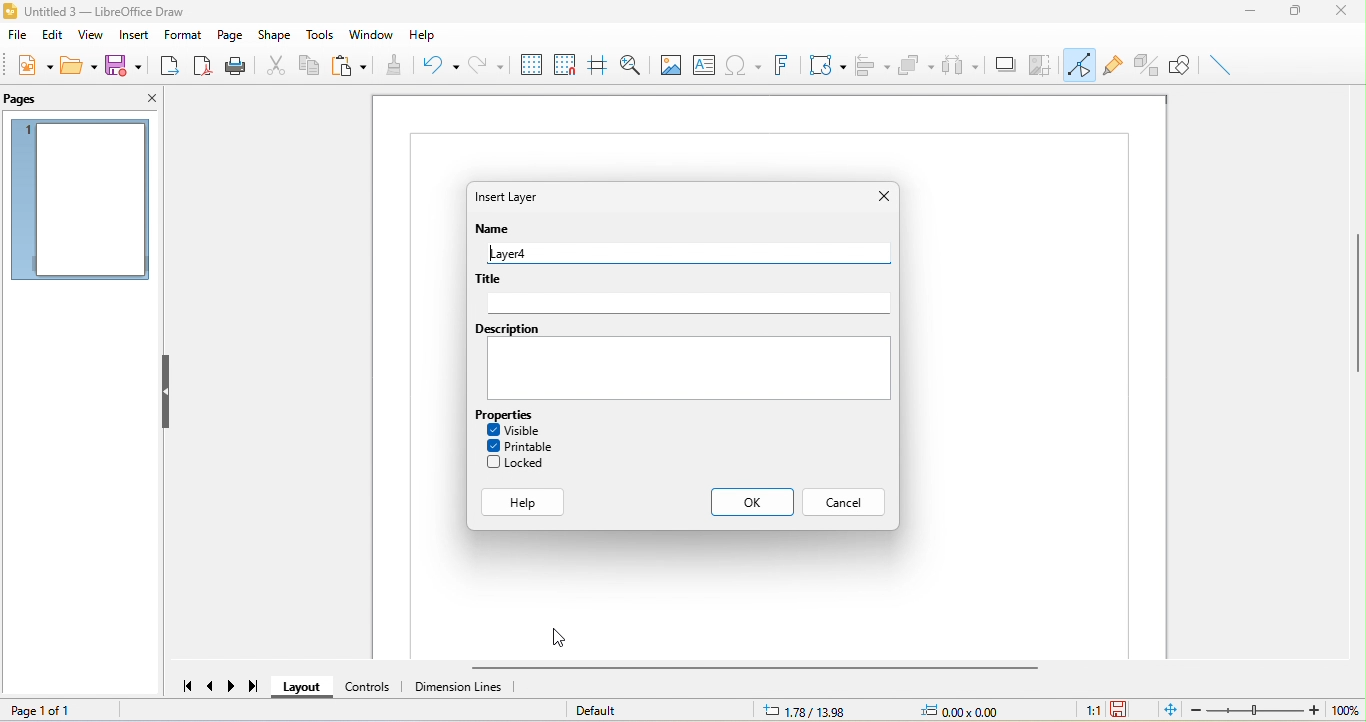 This screenshot has width=1366, height=722. I want to click on locked, so click(519, 463).